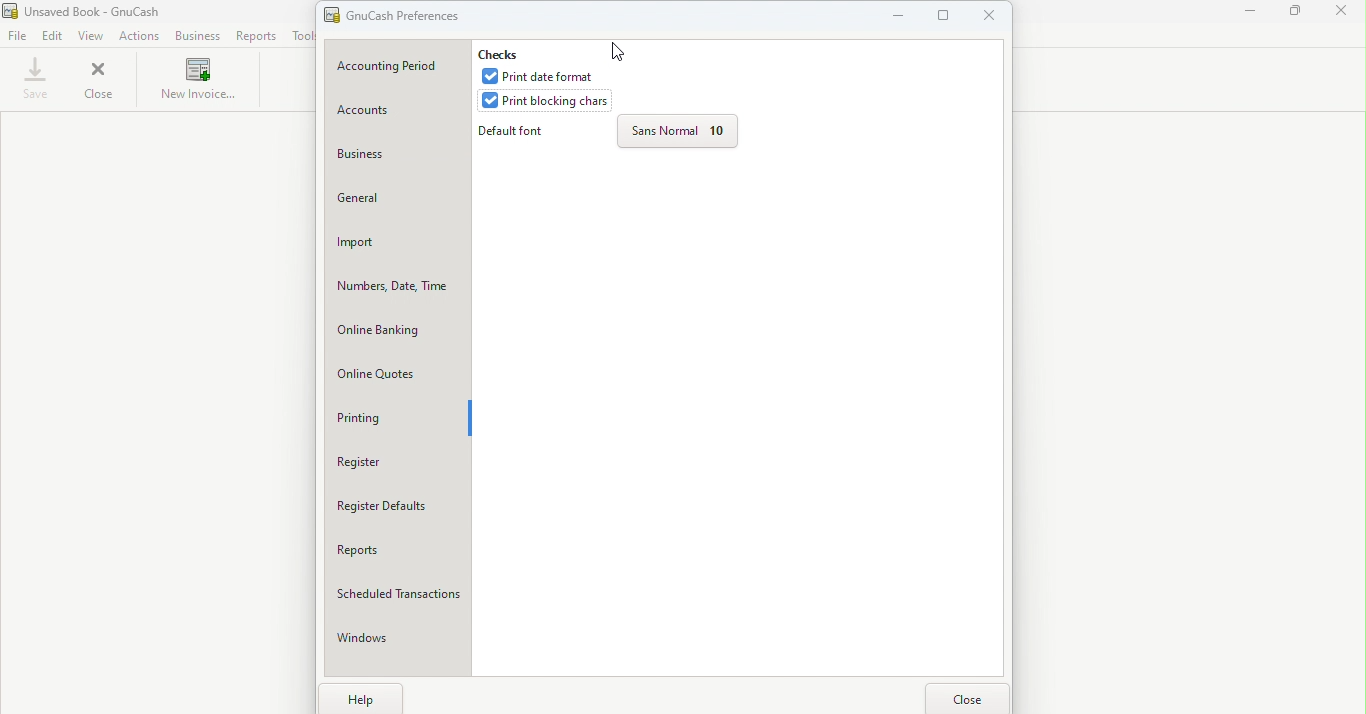  I want to click on Tools, so click(301, 36).